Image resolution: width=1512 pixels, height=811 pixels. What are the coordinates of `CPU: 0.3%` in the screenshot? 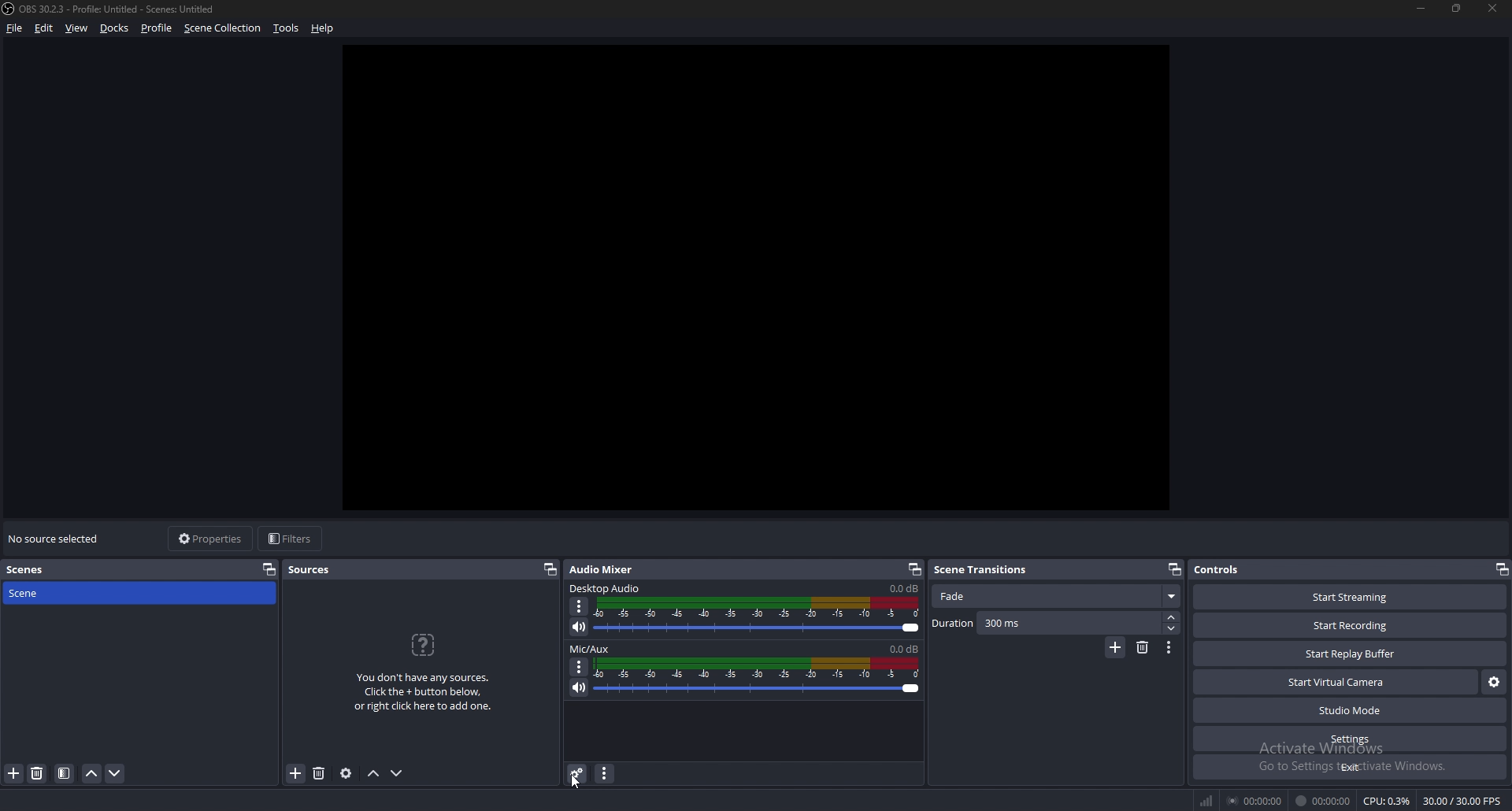 It's located at (1388, 802).